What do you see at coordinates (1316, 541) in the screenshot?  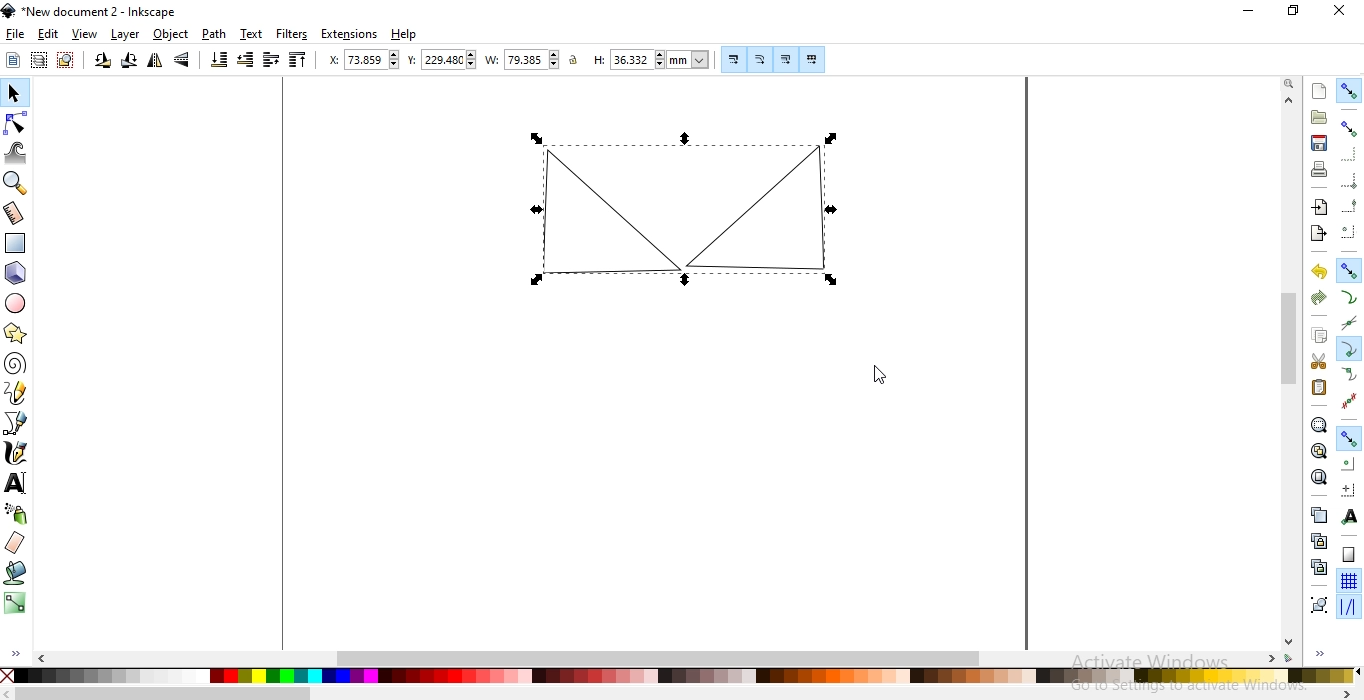 I see `create a clone` at bounding box center [1316, 541].